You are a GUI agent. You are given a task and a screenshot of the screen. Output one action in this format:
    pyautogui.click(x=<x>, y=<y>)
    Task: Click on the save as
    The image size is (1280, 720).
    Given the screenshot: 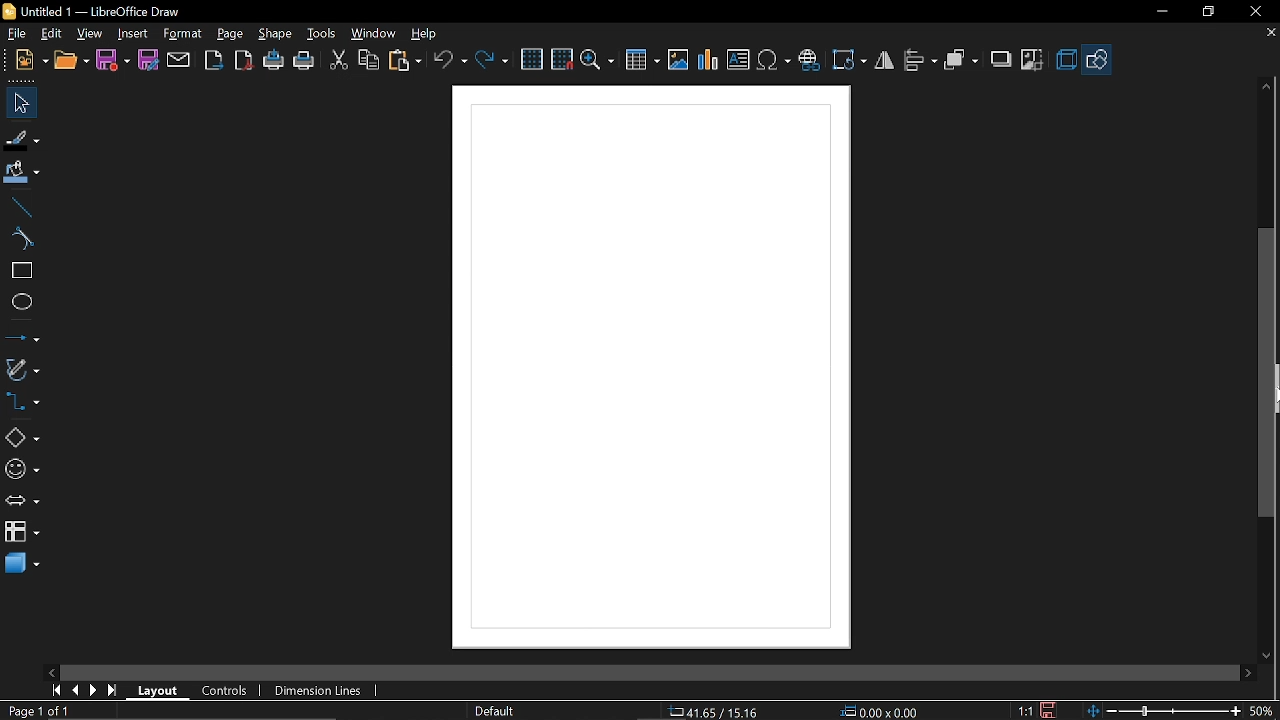 What is the action you would take?
    pyautogui.click(x=148, y=60)
    